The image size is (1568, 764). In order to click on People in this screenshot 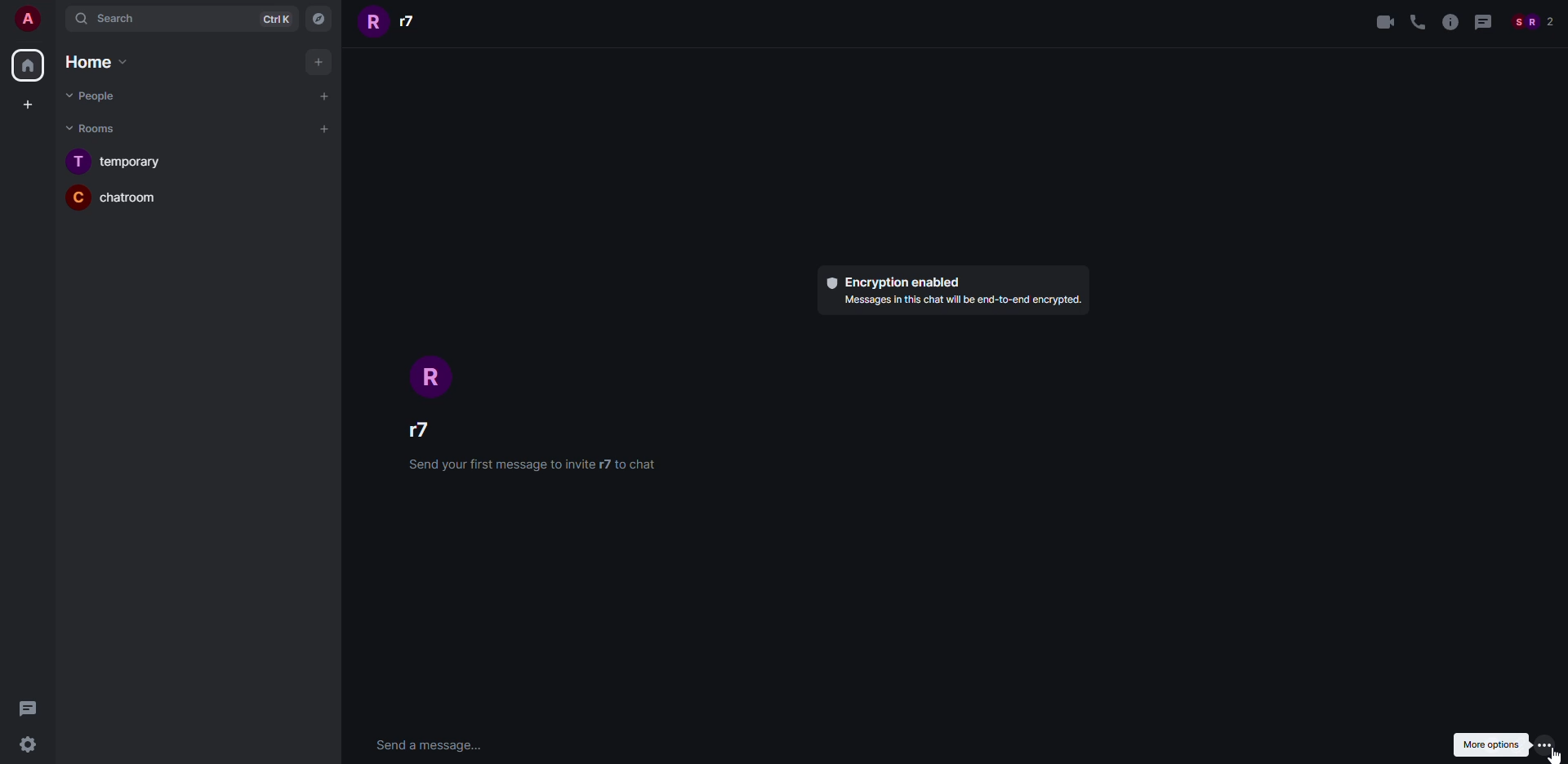, I will do `click(1532, 23)`.